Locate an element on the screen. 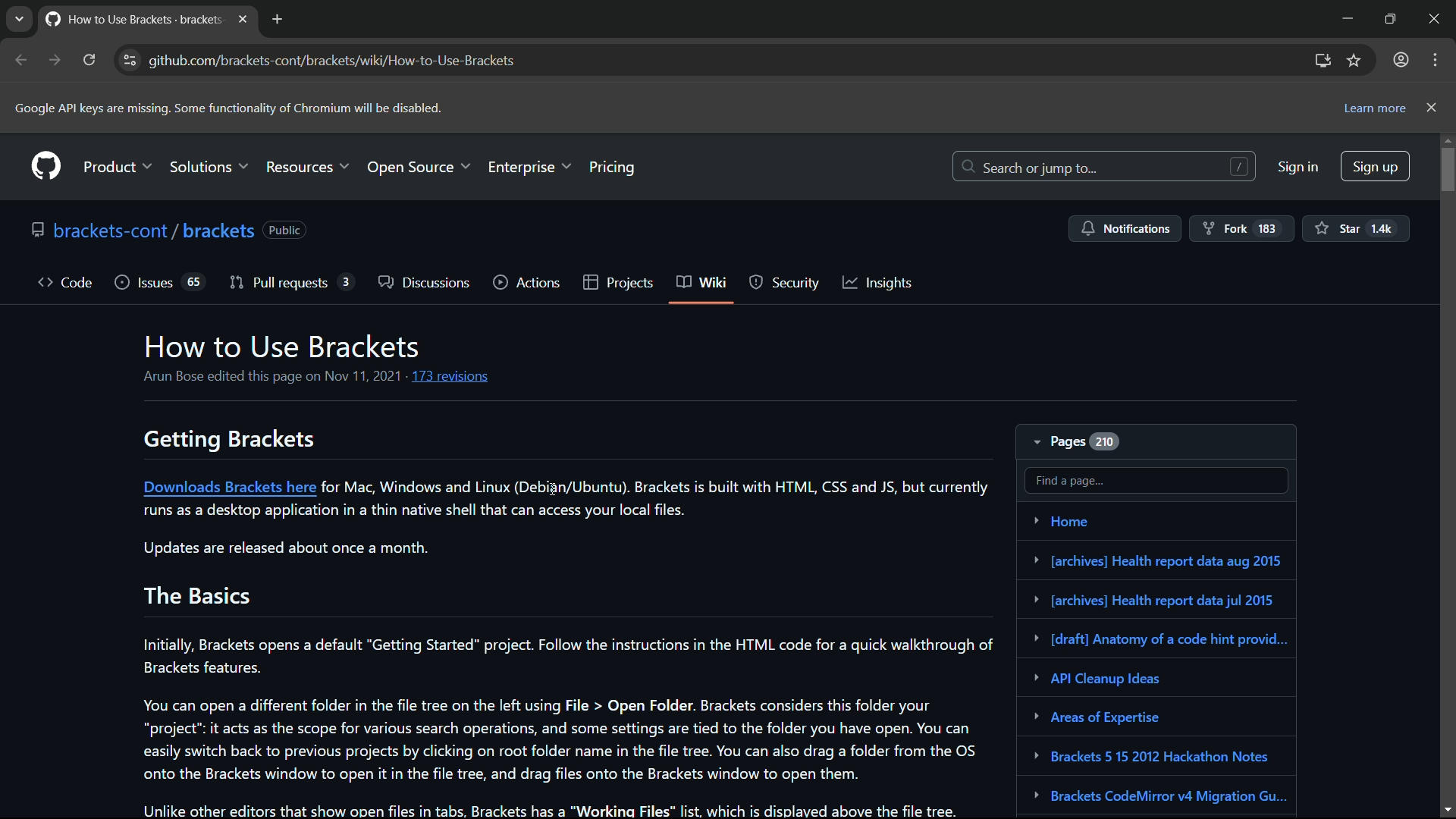 This screenshot has width=1456, height=819. close tab is located at coordinates (243, 19).